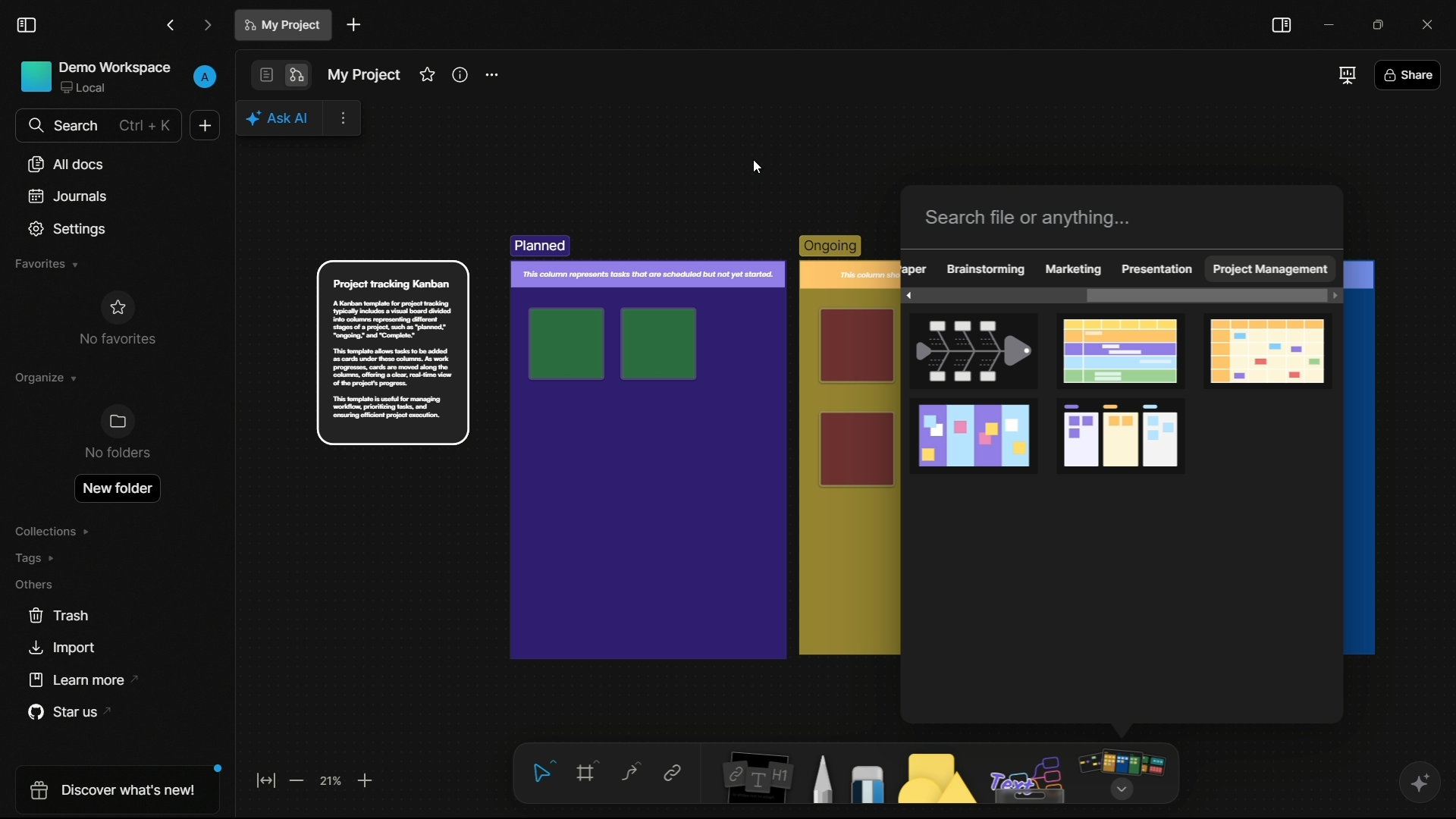  What do you see at coordinates (68, 196) in the screenshot?
I see `journals` at bounding box center [68, 196].